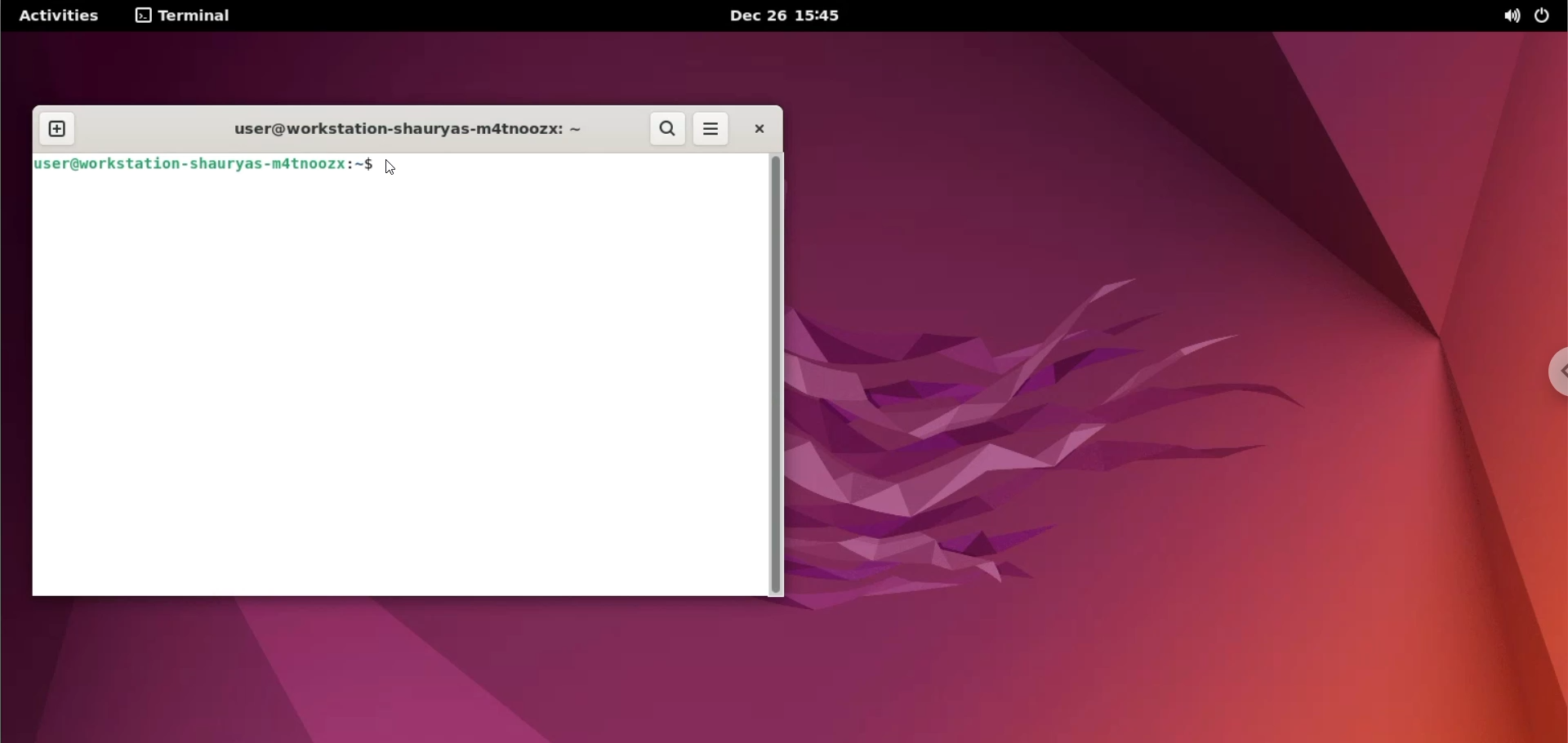  I want to click on user@workstation-shaurya-m4tnoozx:~, so click(403, 131).